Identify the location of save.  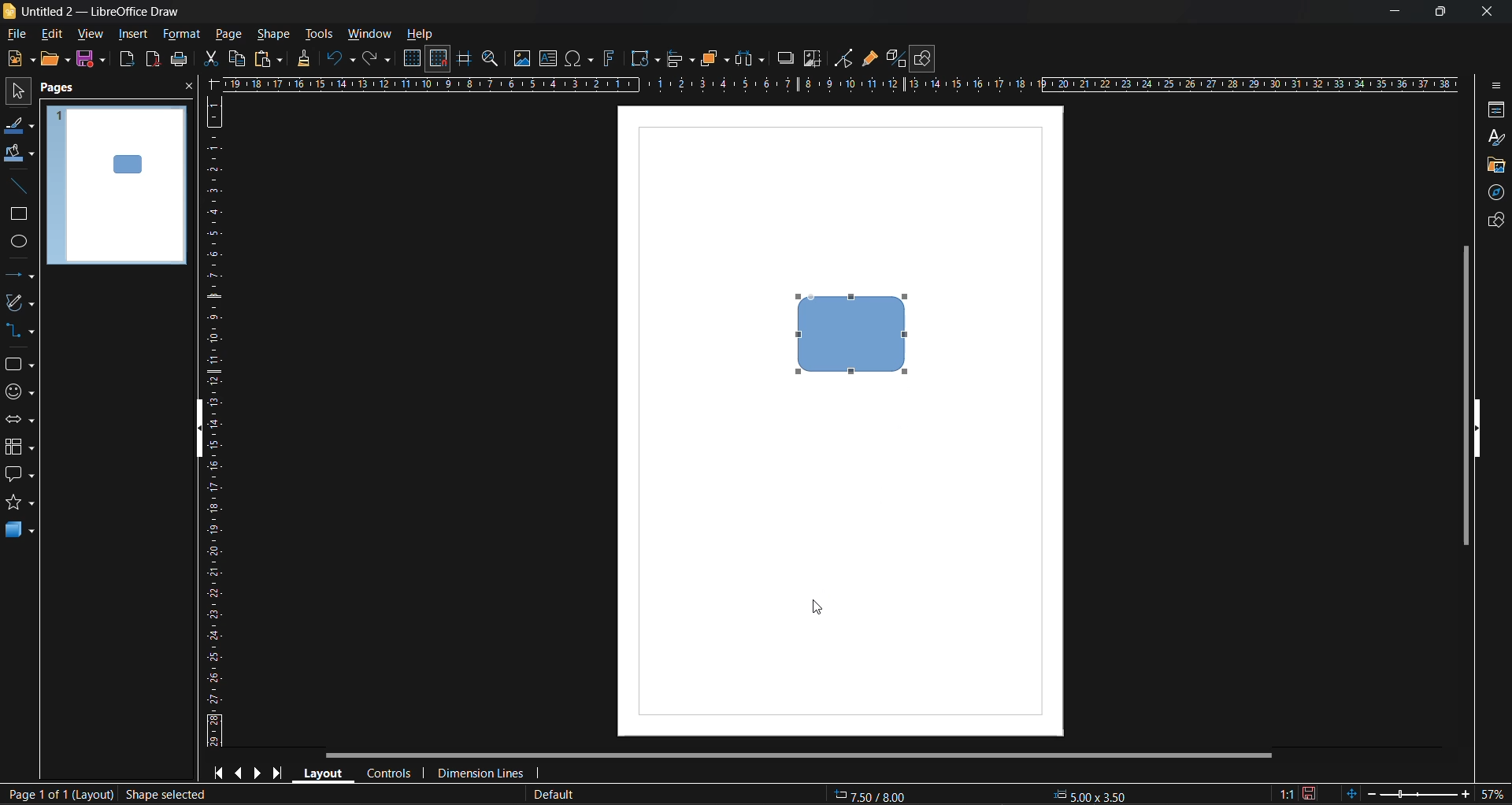
(180, 59).